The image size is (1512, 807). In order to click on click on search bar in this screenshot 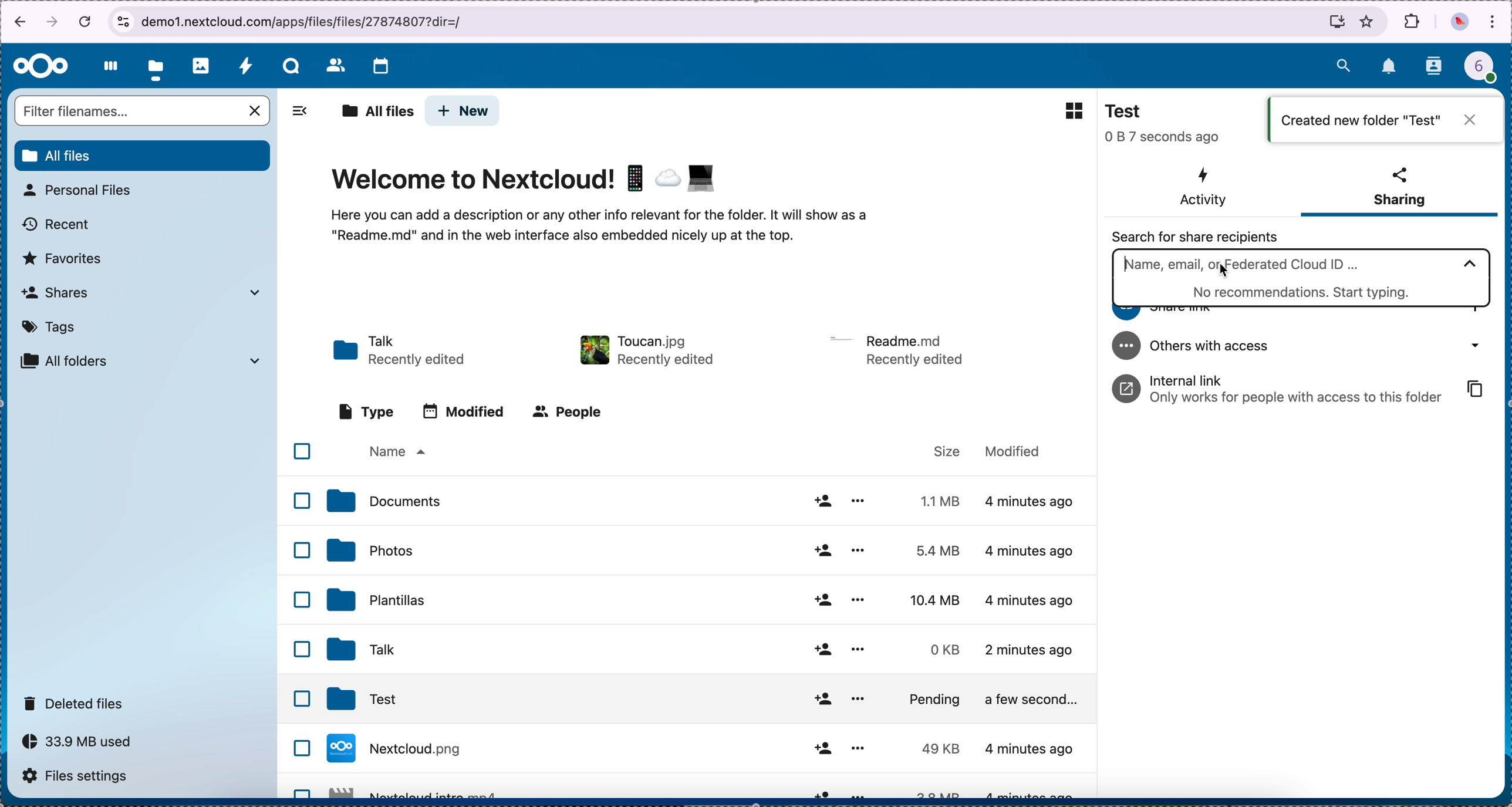, I will do `click(1301, 266)`.